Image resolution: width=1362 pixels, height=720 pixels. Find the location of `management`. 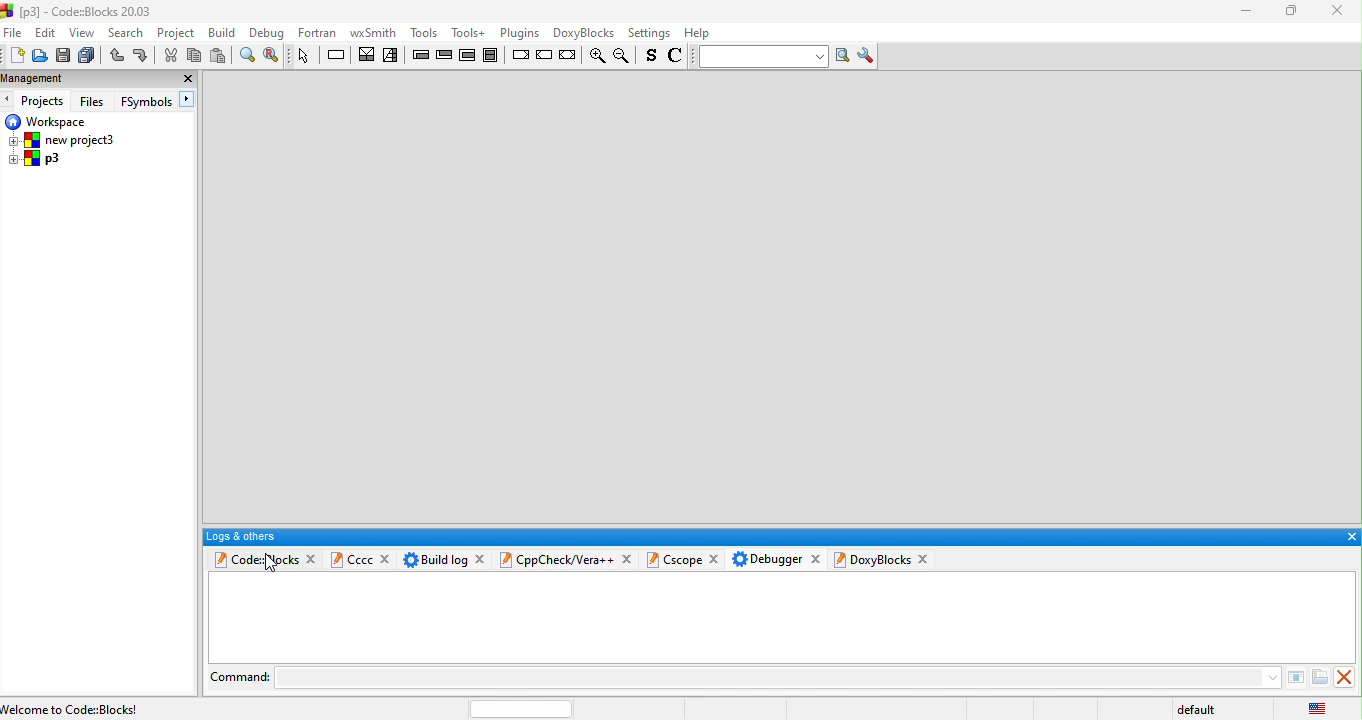

management is located at coordinates (70, 80).